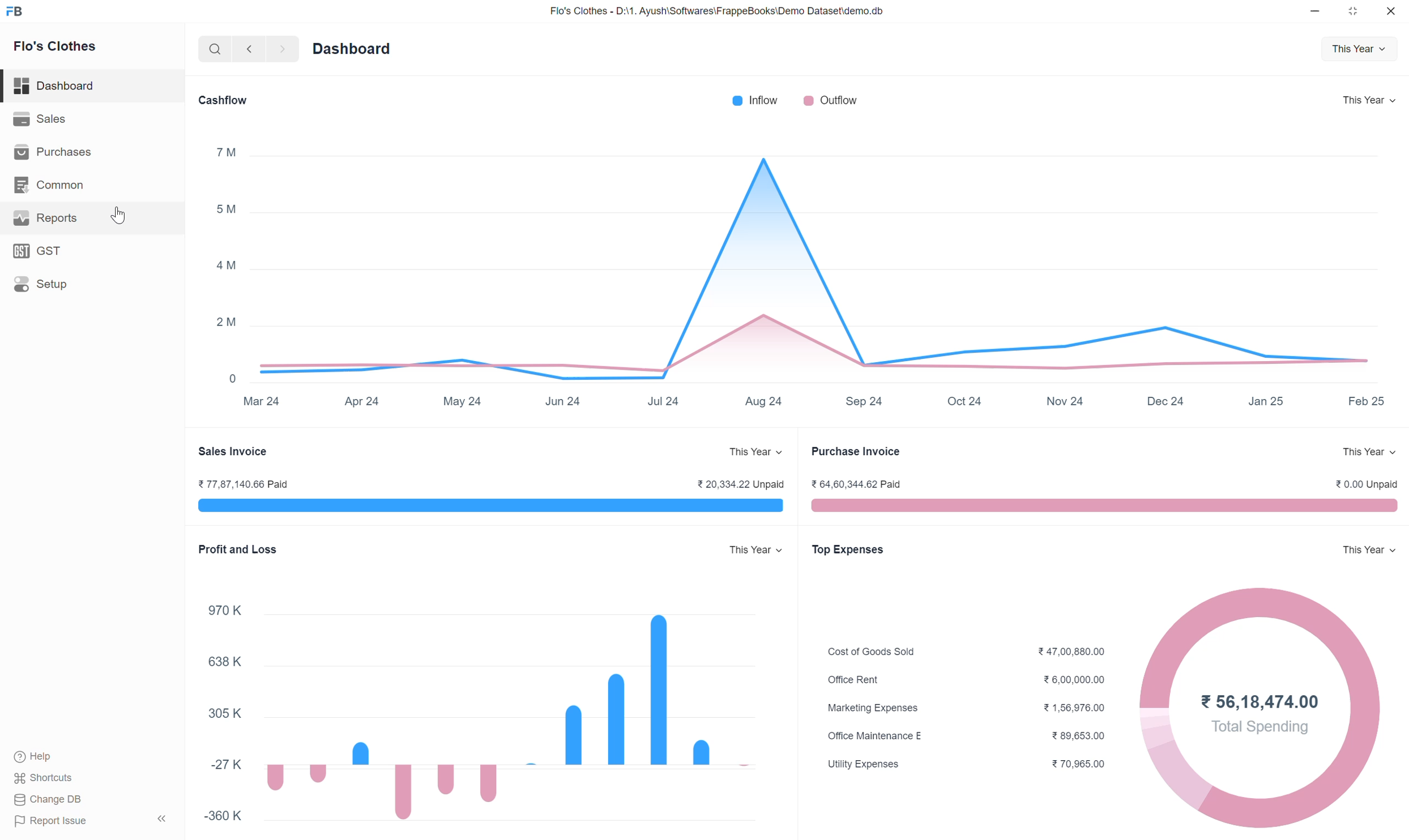  Describe the element at coordinates (1366, 400) in the screenshot. I see `feb 25` at that location.